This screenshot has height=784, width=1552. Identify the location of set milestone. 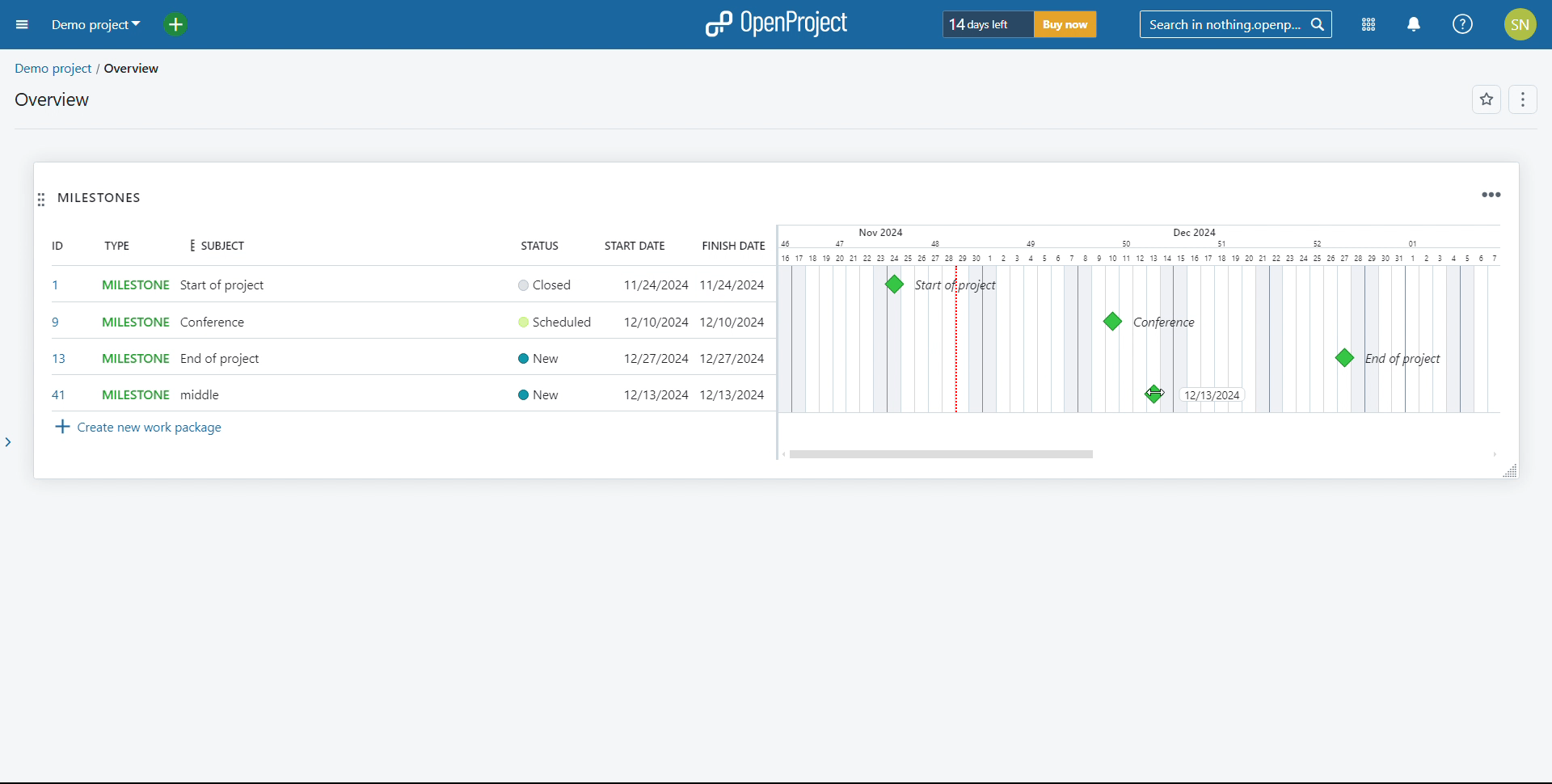
(133, 340).